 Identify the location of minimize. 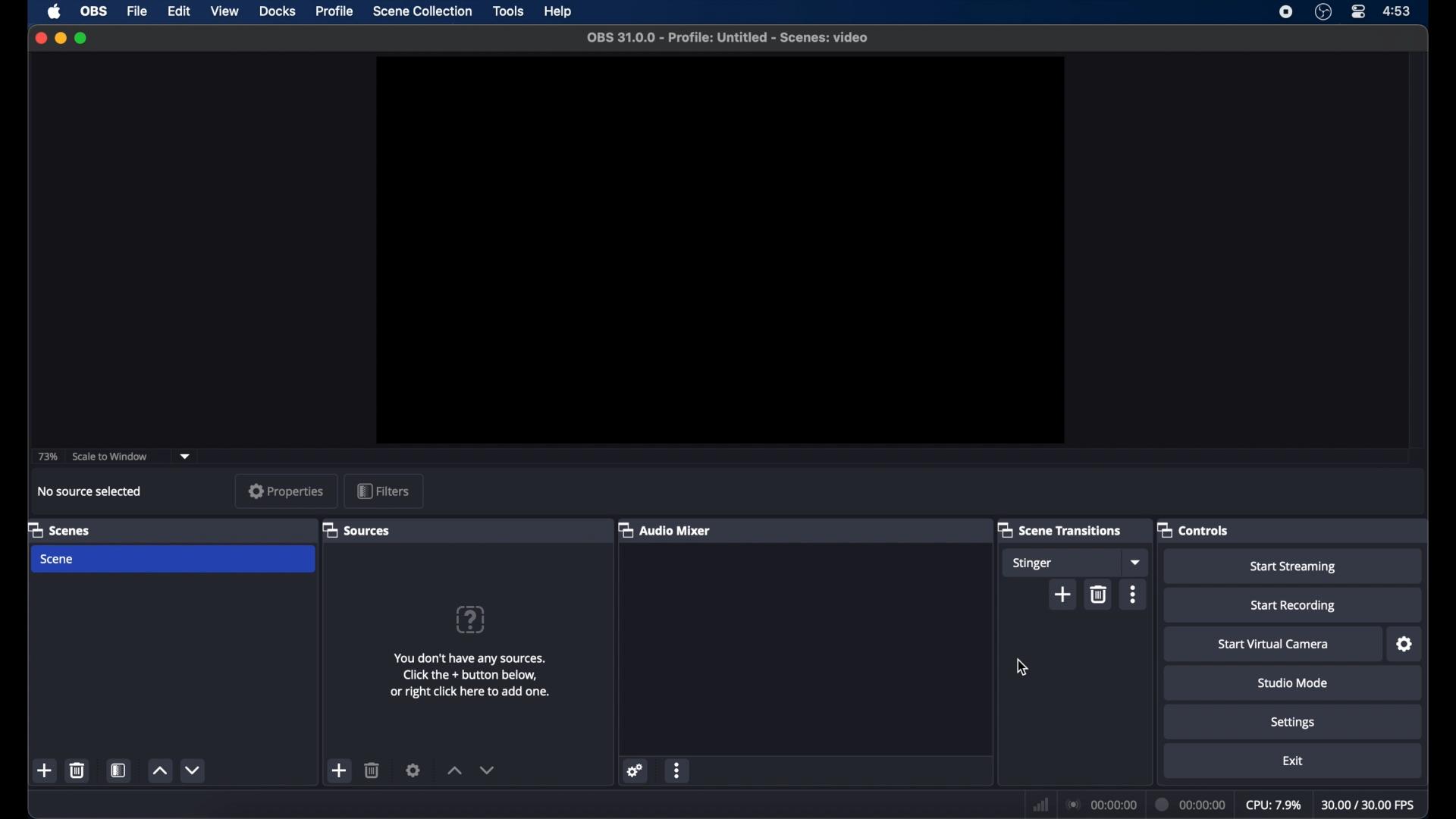
(60, 38).